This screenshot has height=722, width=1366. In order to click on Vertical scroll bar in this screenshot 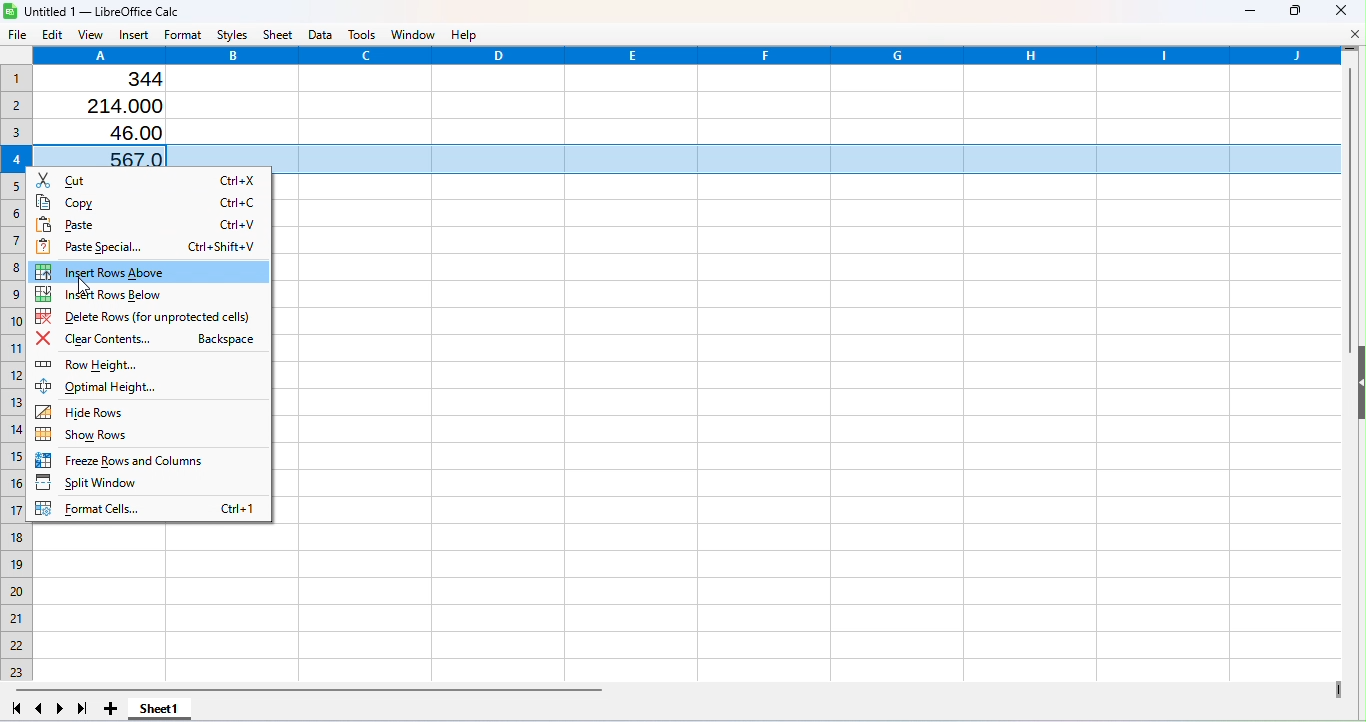, I will do `click(1349, 368)`.